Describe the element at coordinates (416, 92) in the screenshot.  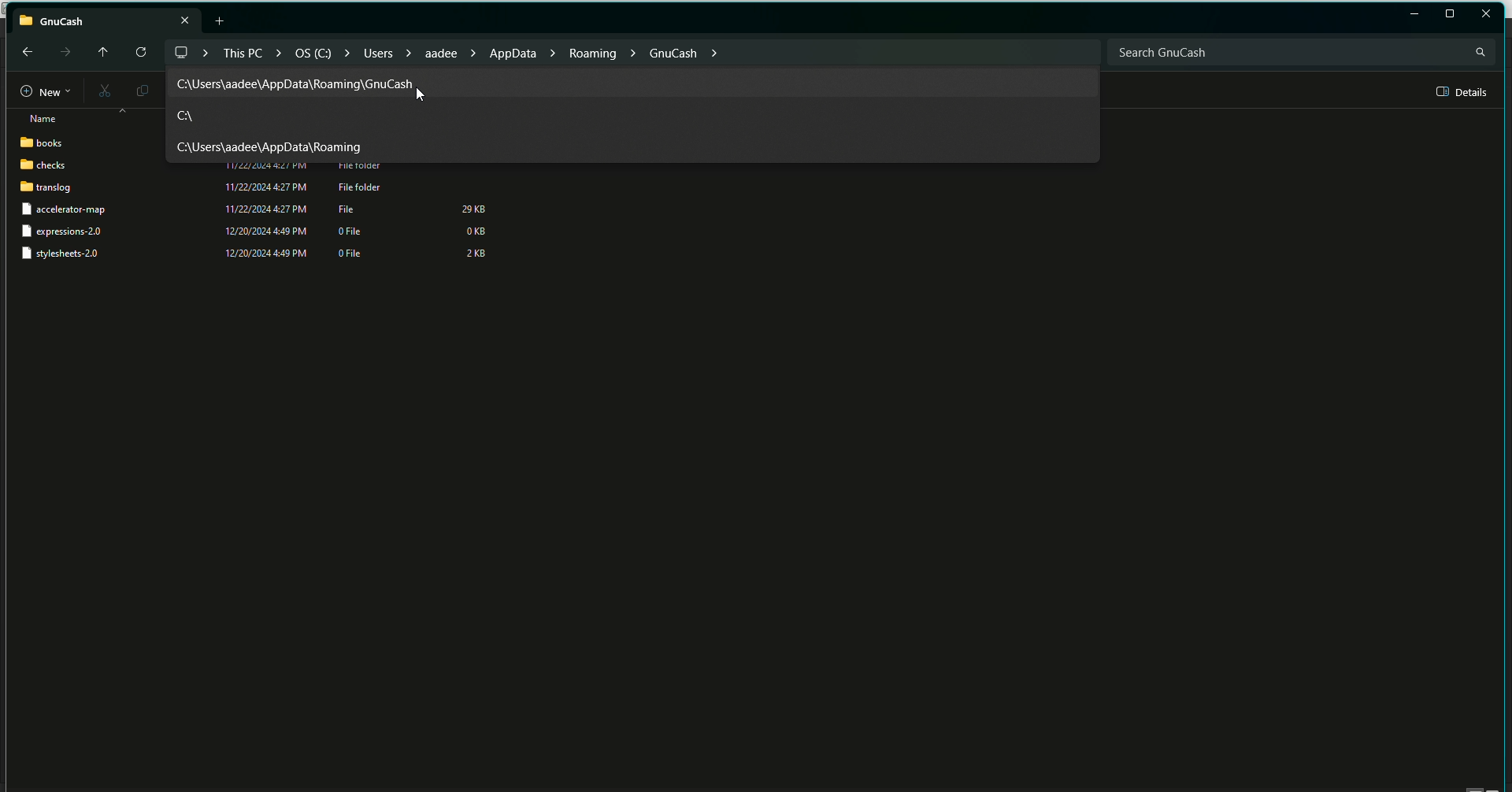
I see `Cursor` at that location.